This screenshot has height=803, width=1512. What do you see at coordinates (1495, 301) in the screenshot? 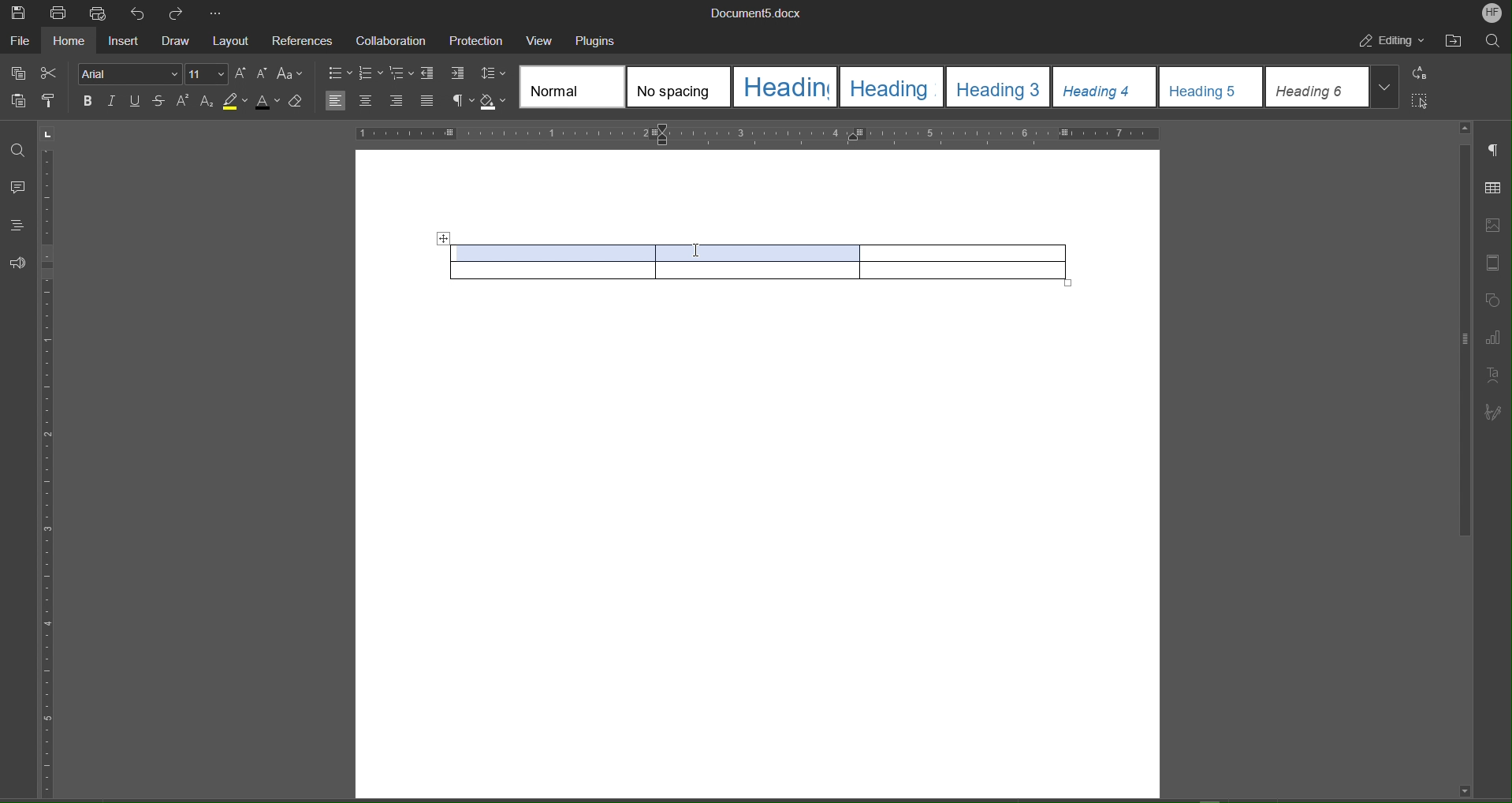
I see `Shape Settings` at bounding box center [1495, 301].